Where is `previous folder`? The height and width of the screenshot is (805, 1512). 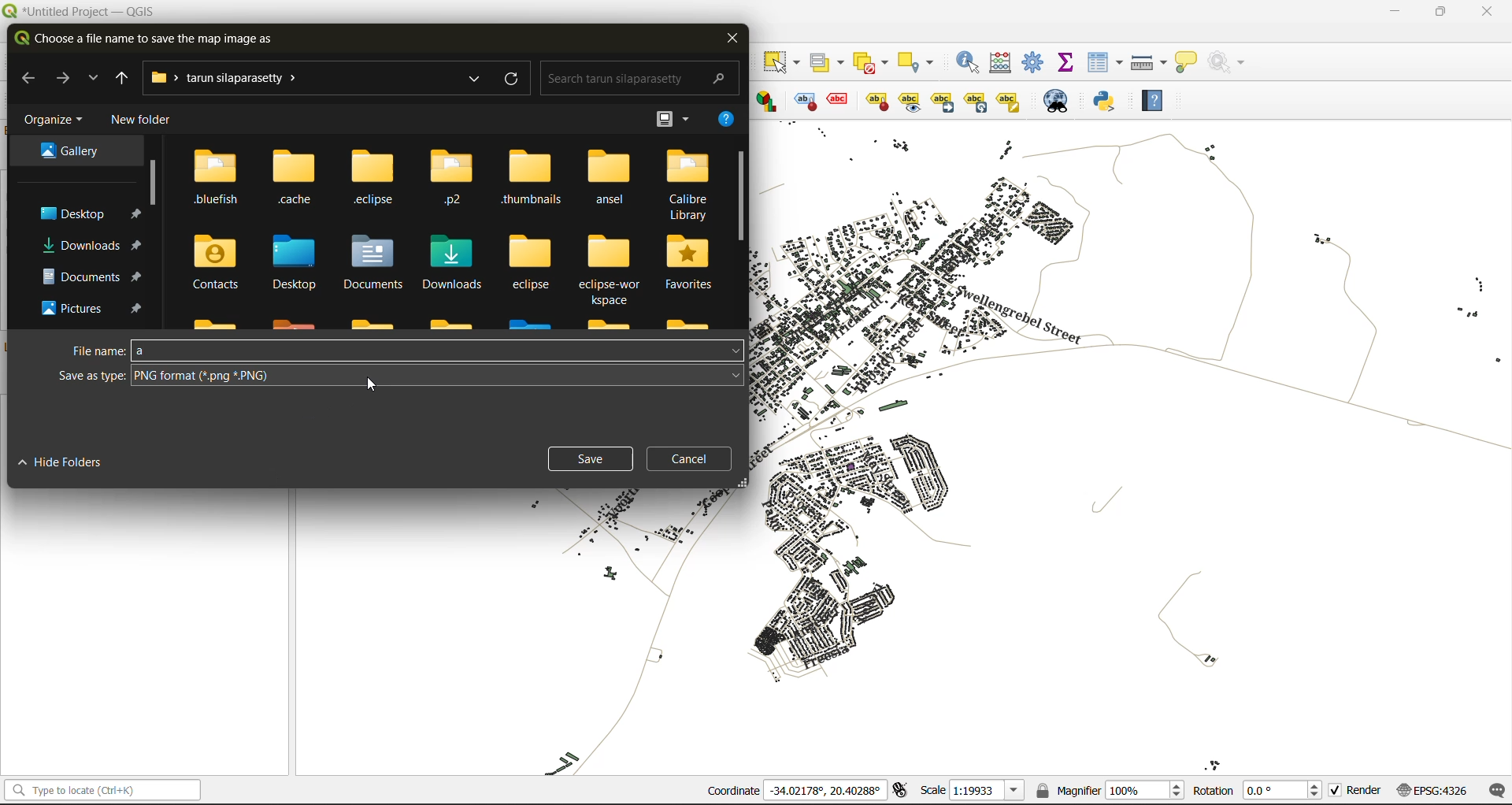 previous folder is located at coordinates (117, 78).